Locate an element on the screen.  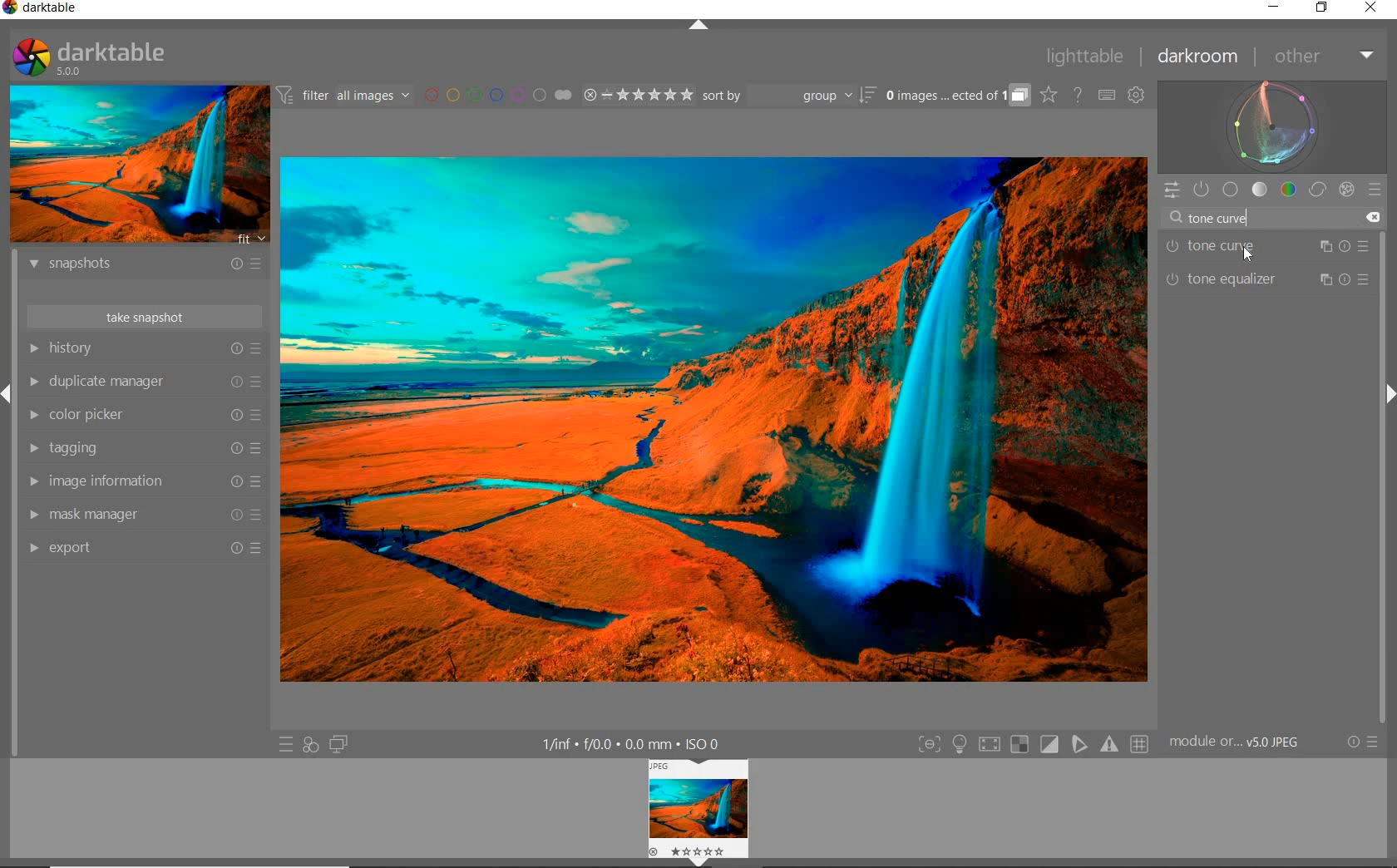
RESET OR PRESETS & PREFERENCES is located at coordinates (1362, 743).